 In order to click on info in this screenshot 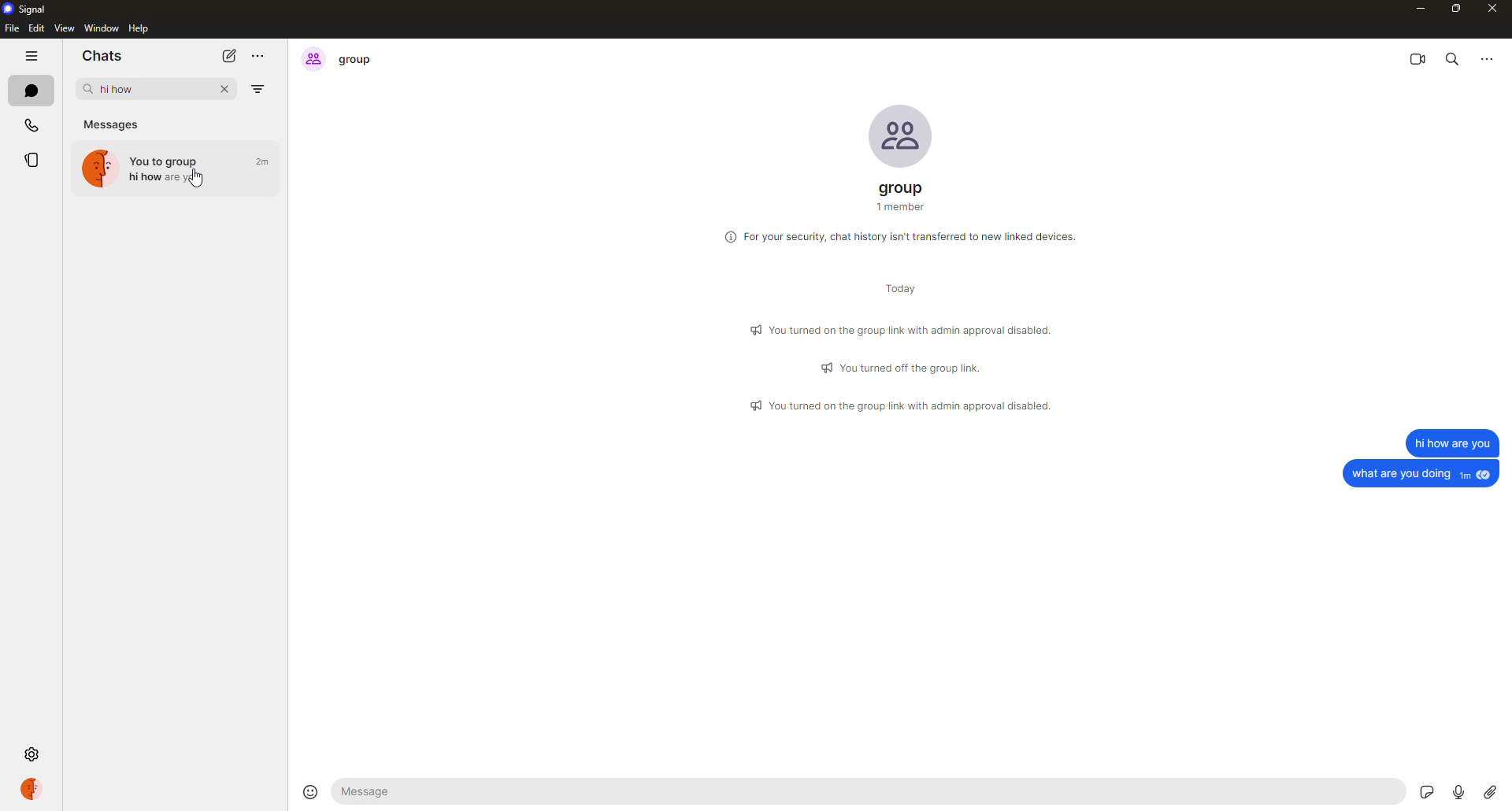, I will do `click(903, 406)`.